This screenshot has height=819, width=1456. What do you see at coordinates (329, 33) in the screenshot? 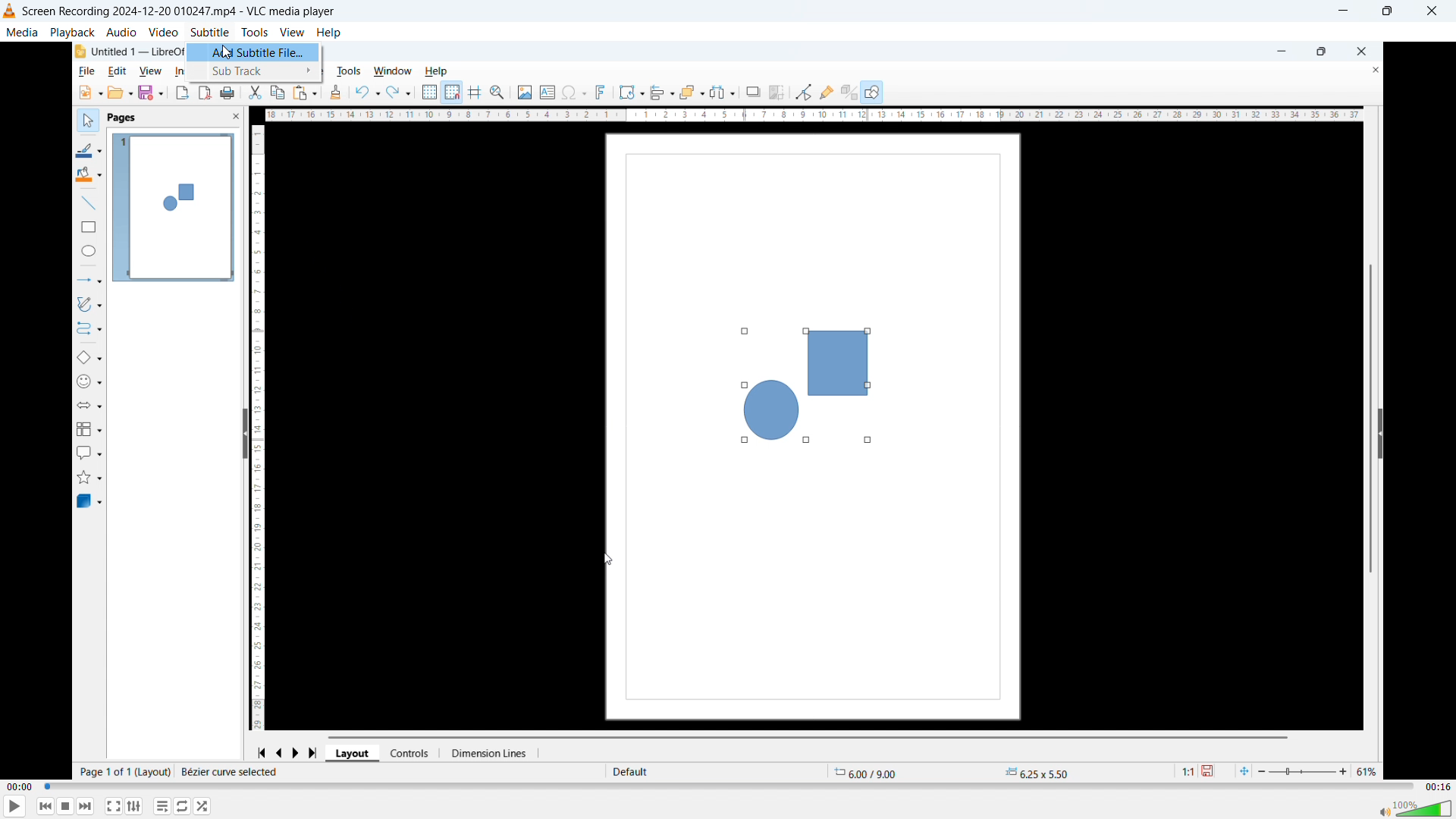
I see `help ` at bounding box center [329, 33].